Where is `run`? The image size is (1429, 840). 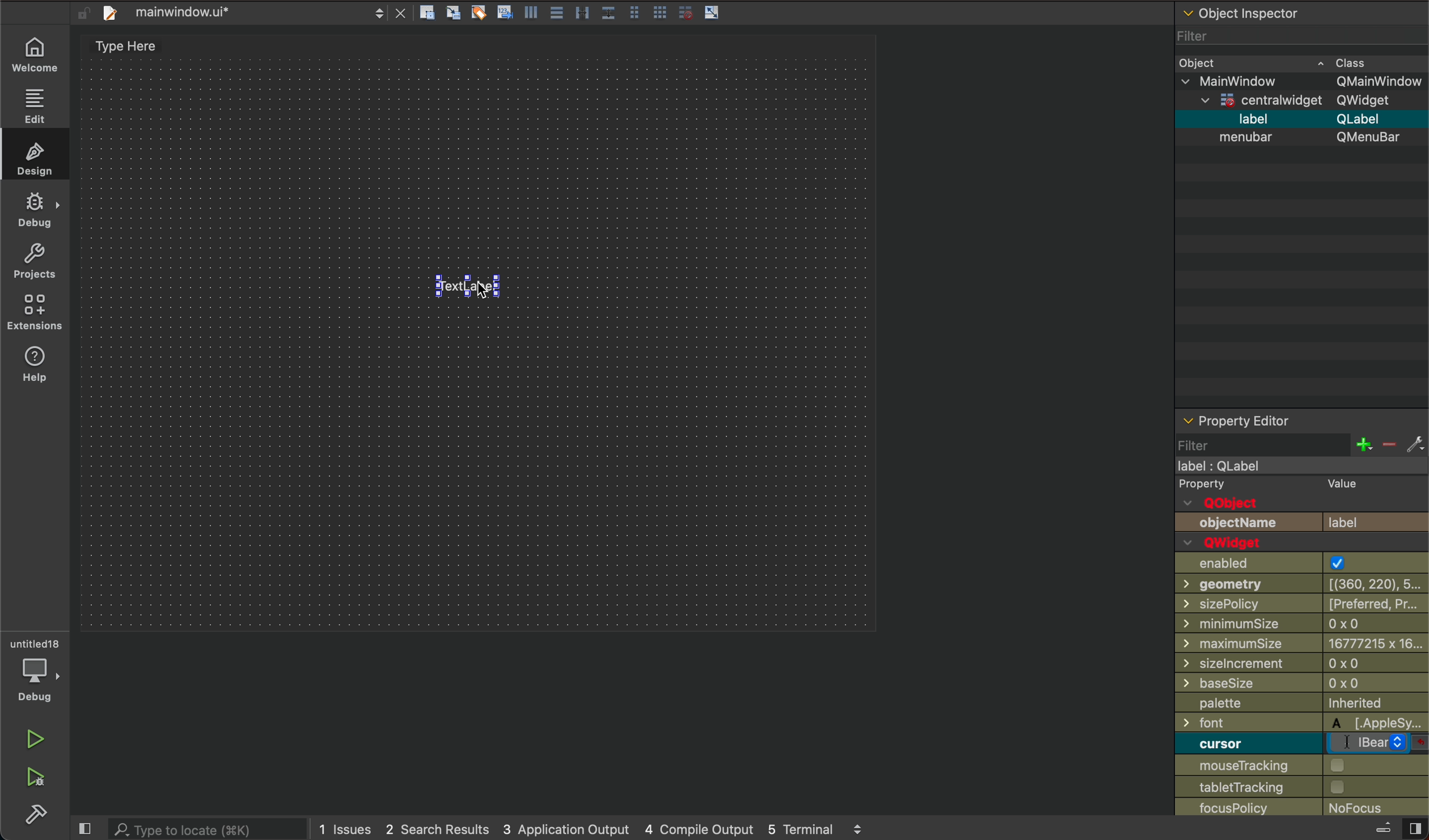 run is located at coordinates (35, 736).